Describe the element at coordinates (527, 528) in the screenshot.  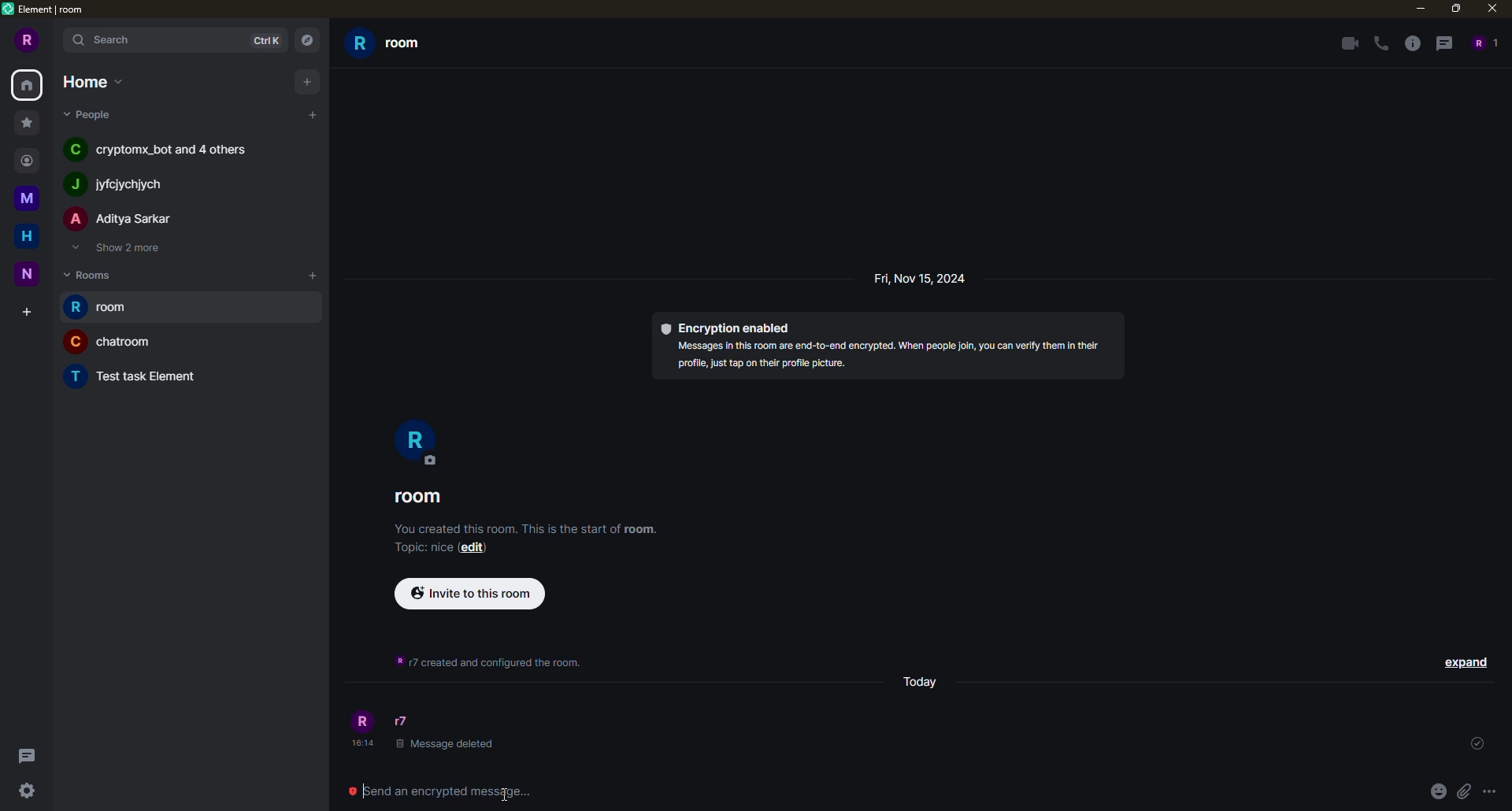
I see `info` at that location.